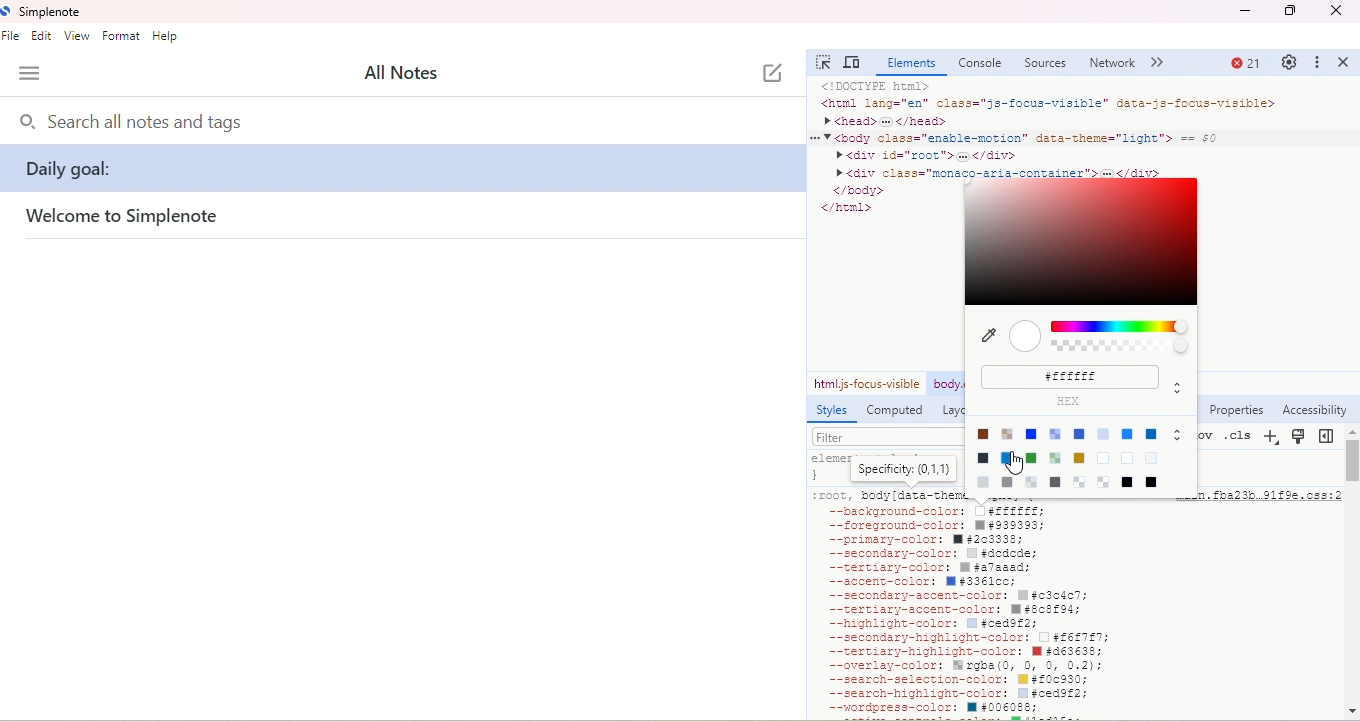 Image resolution: width=1360 pixels, height=722 pixels. Describe the element at coordinates (829, 412) in the screenshot. I see `styles` at that location.